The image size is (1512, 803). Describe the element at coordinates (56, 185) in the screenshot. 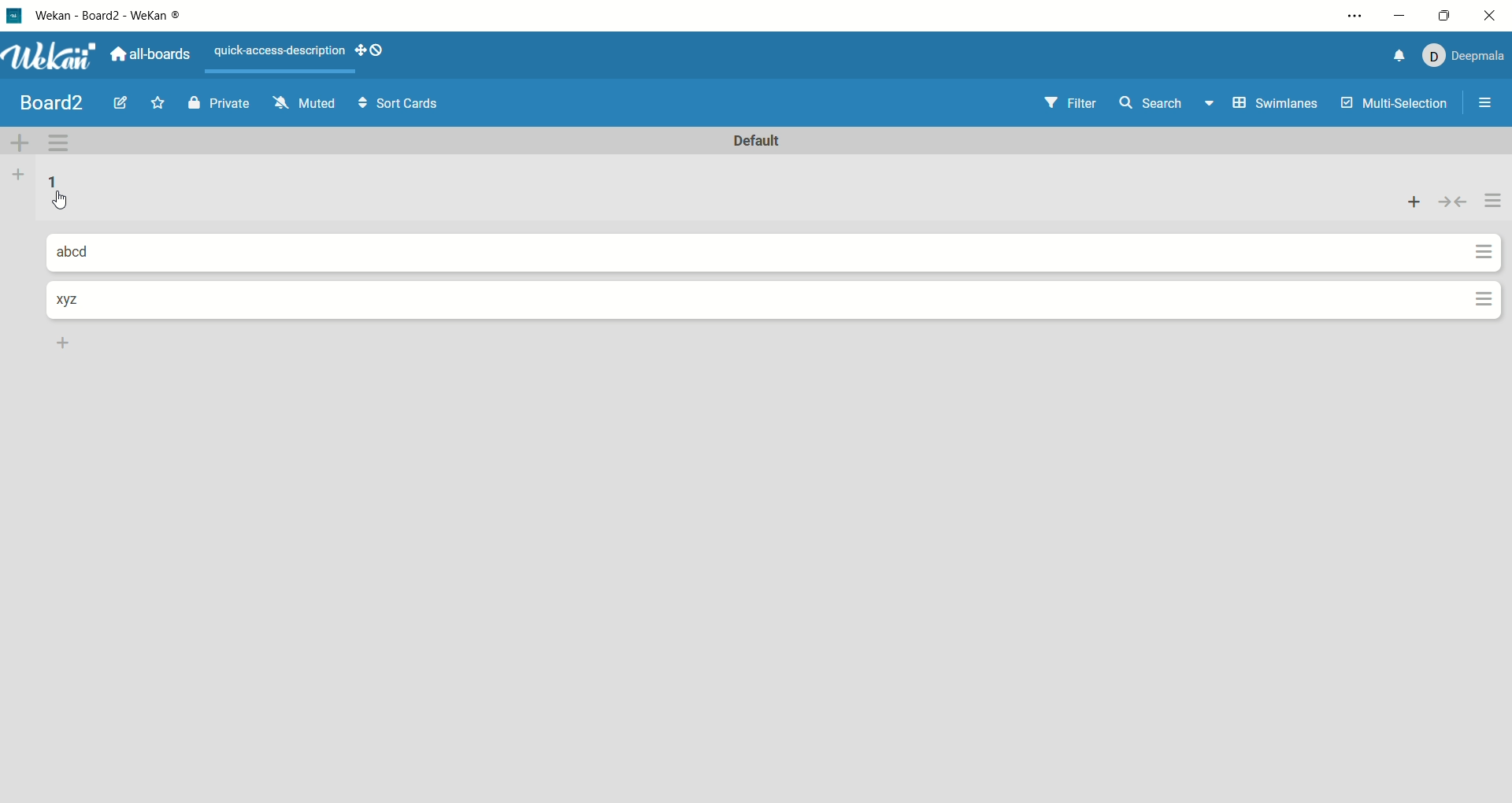

I see `list` at that location.